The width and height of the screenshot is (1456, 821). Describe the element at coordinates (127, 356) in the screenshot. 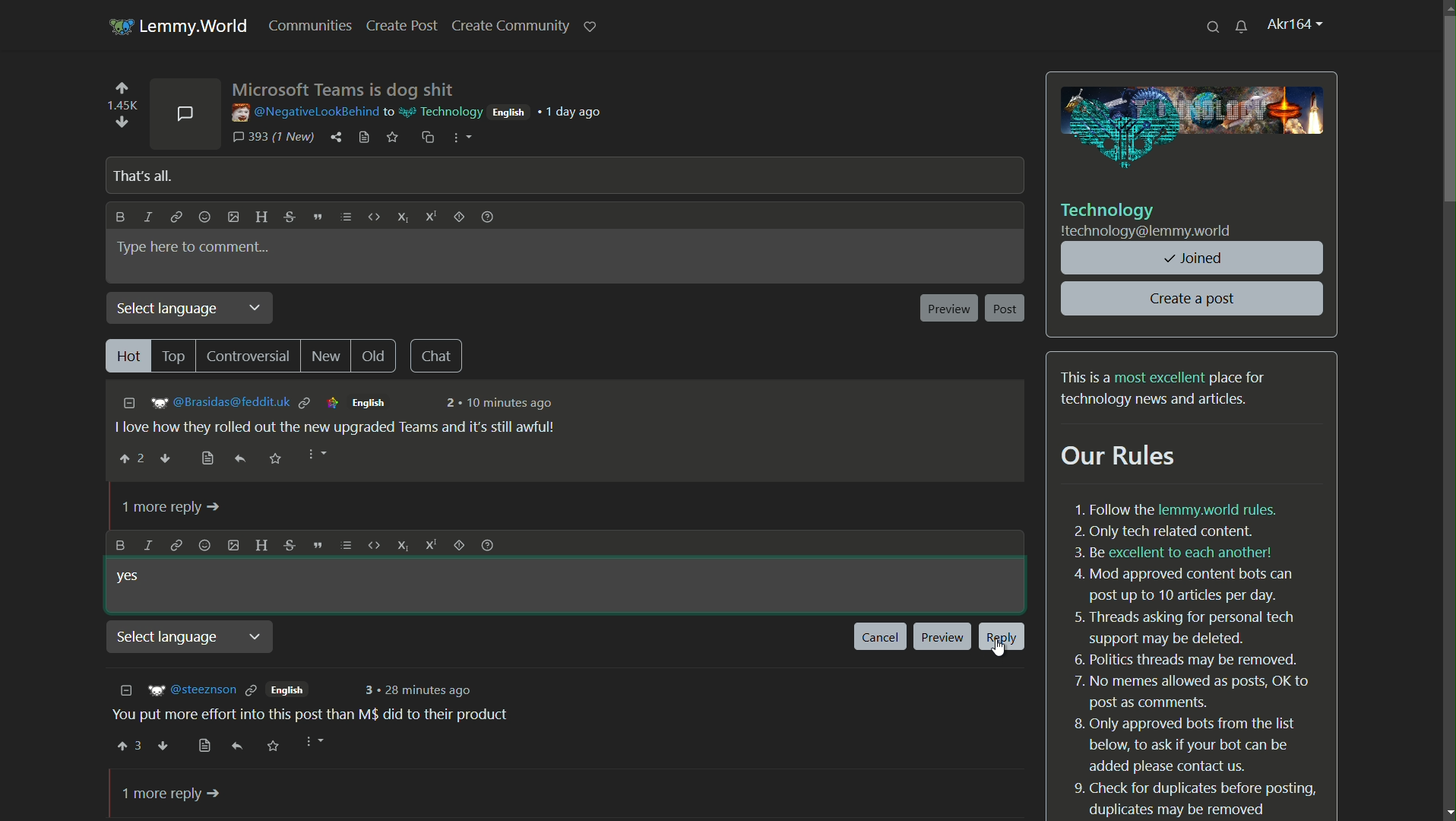

I see `hot` at that location.